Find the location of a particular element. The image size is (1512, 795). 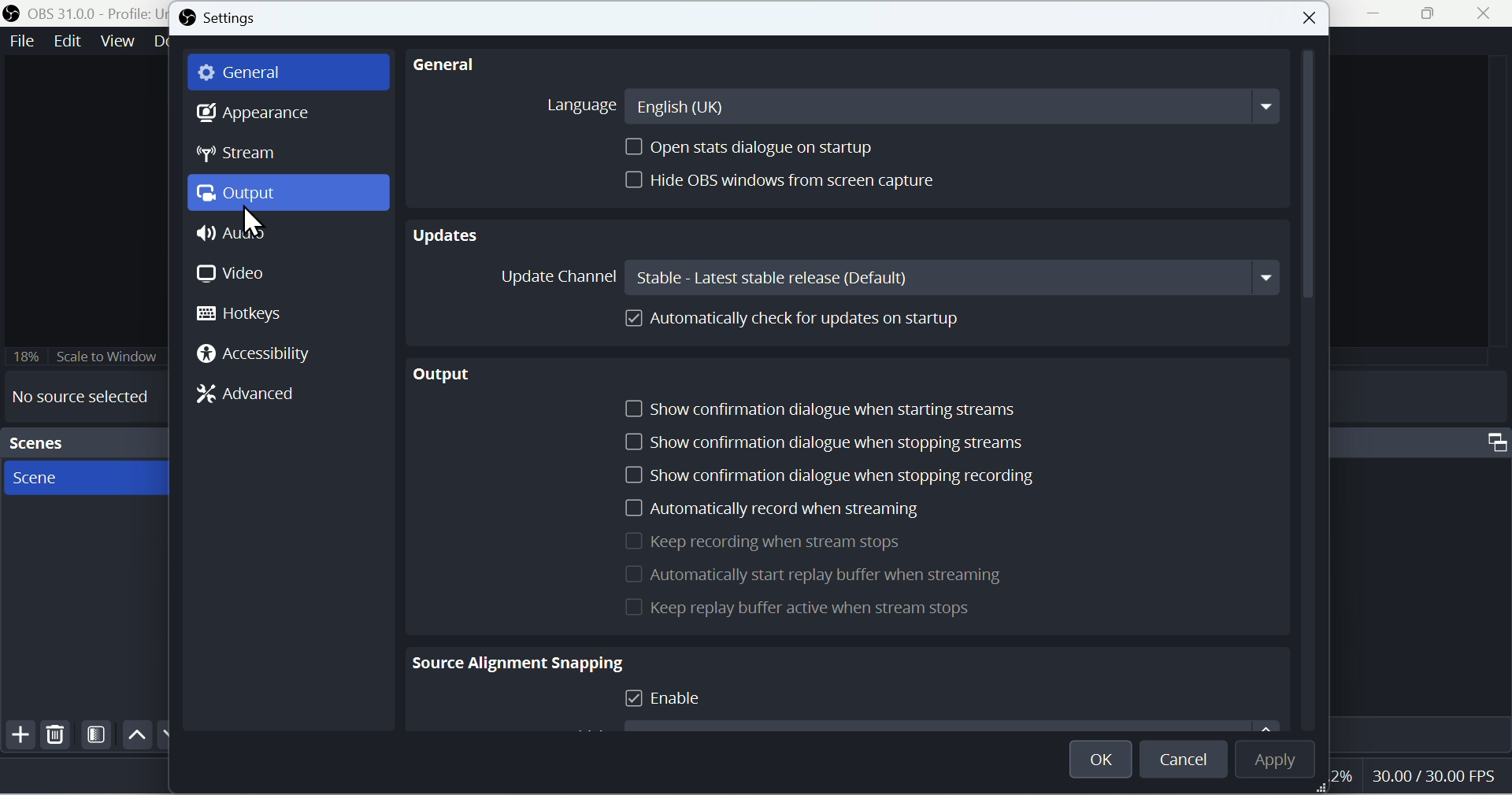

Keep replay buffer active when stream stops is located at coordinates (795, 608).